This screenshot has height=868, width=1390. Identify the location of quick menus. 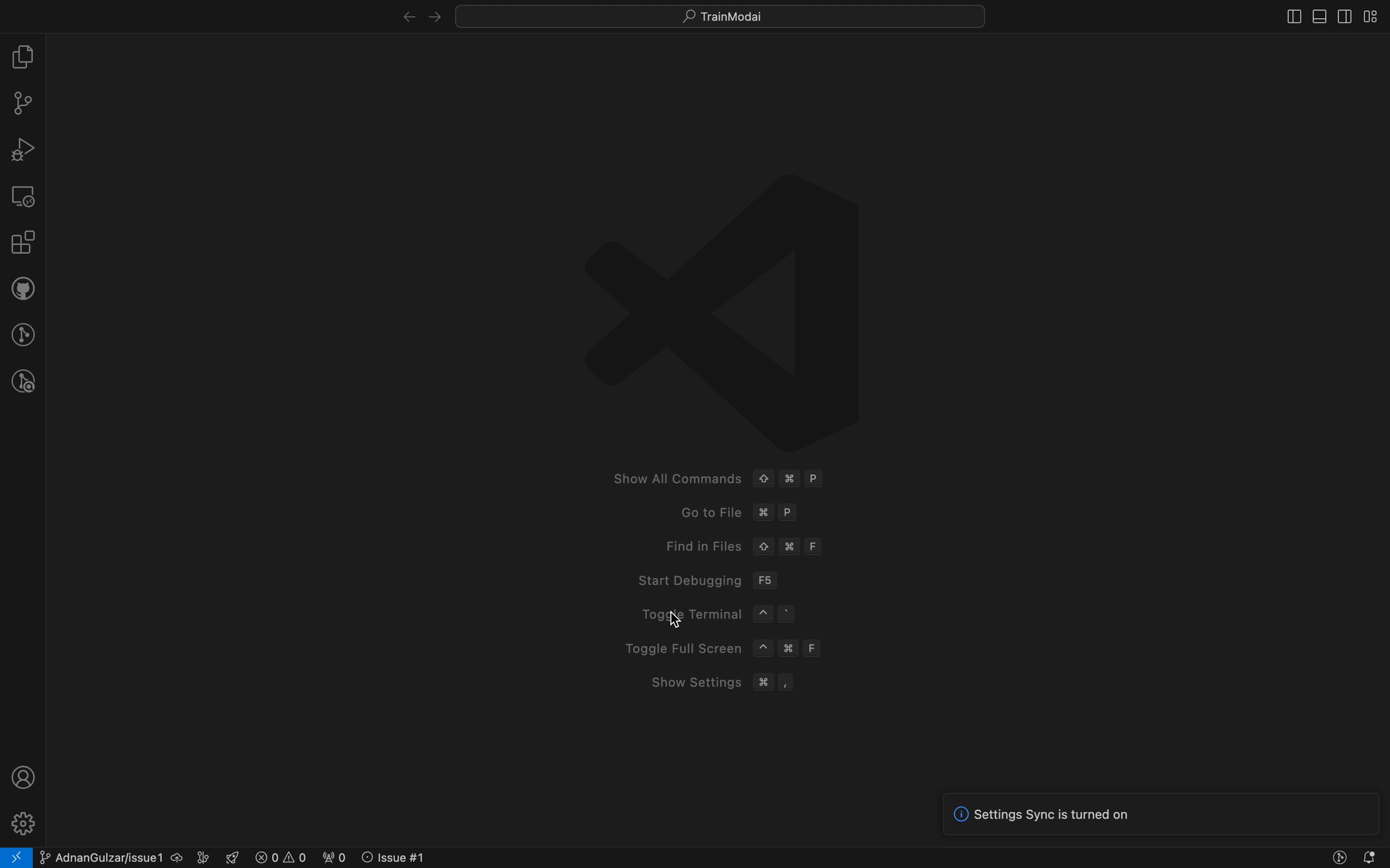
(717, 14).